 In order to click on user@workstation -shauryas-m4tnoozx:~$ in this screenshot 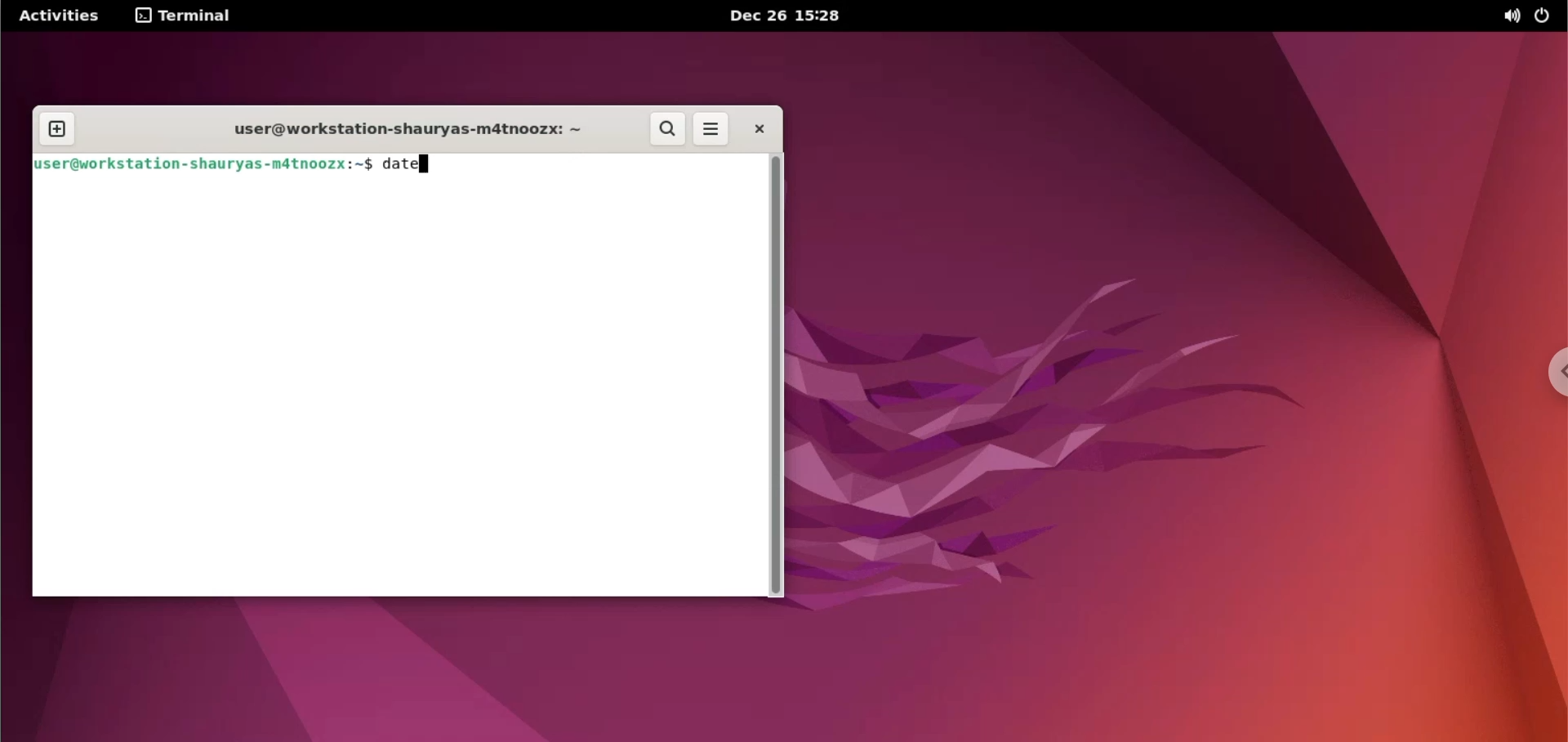, I will do `click(203, 164)`.